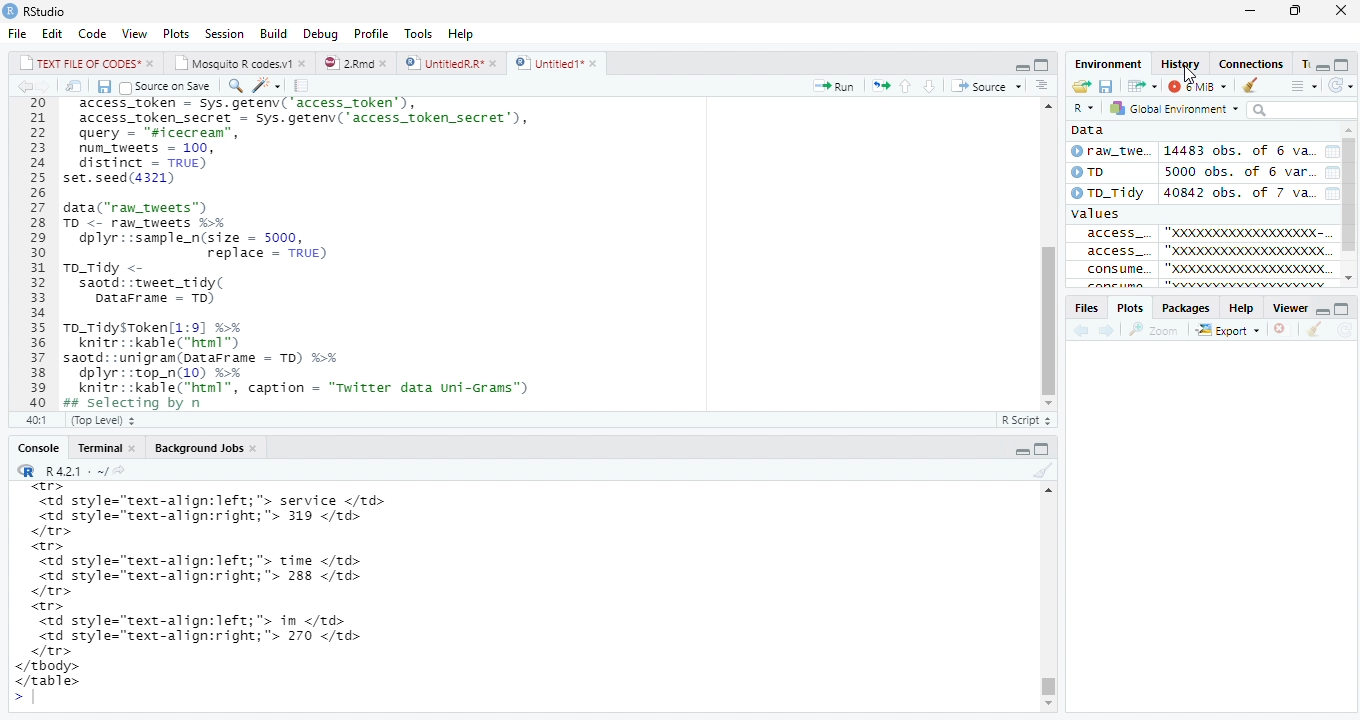  What do you see at coordinates (1178, 110) in the screenshot?
I see ` Global Environment ` at bounding box center [1178, 110].